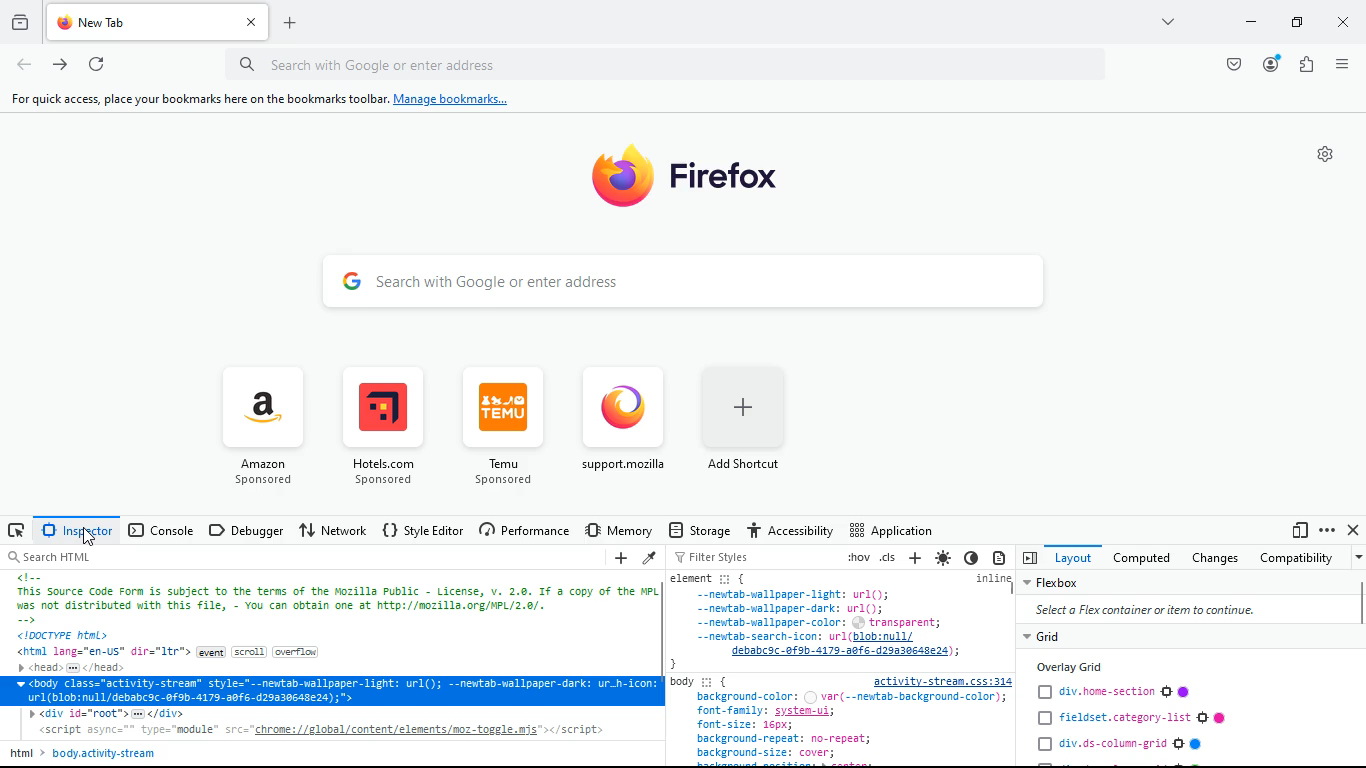 The image size is (1366, 768). I want to click on Search with Google or enter address, so click(499, 280).